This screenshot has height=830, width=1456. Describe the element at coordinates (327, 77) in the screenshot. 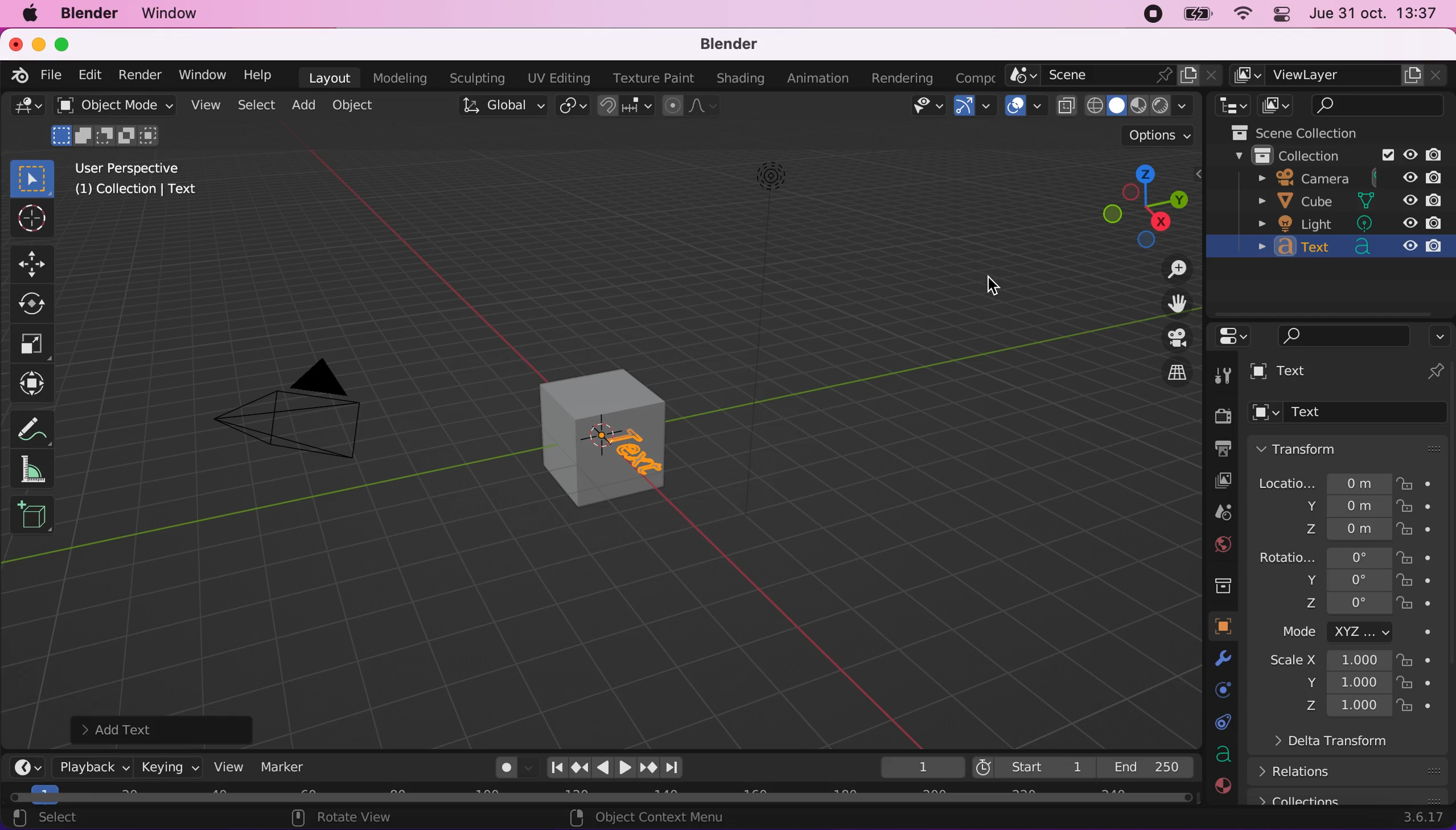

I see `layout` at that location.